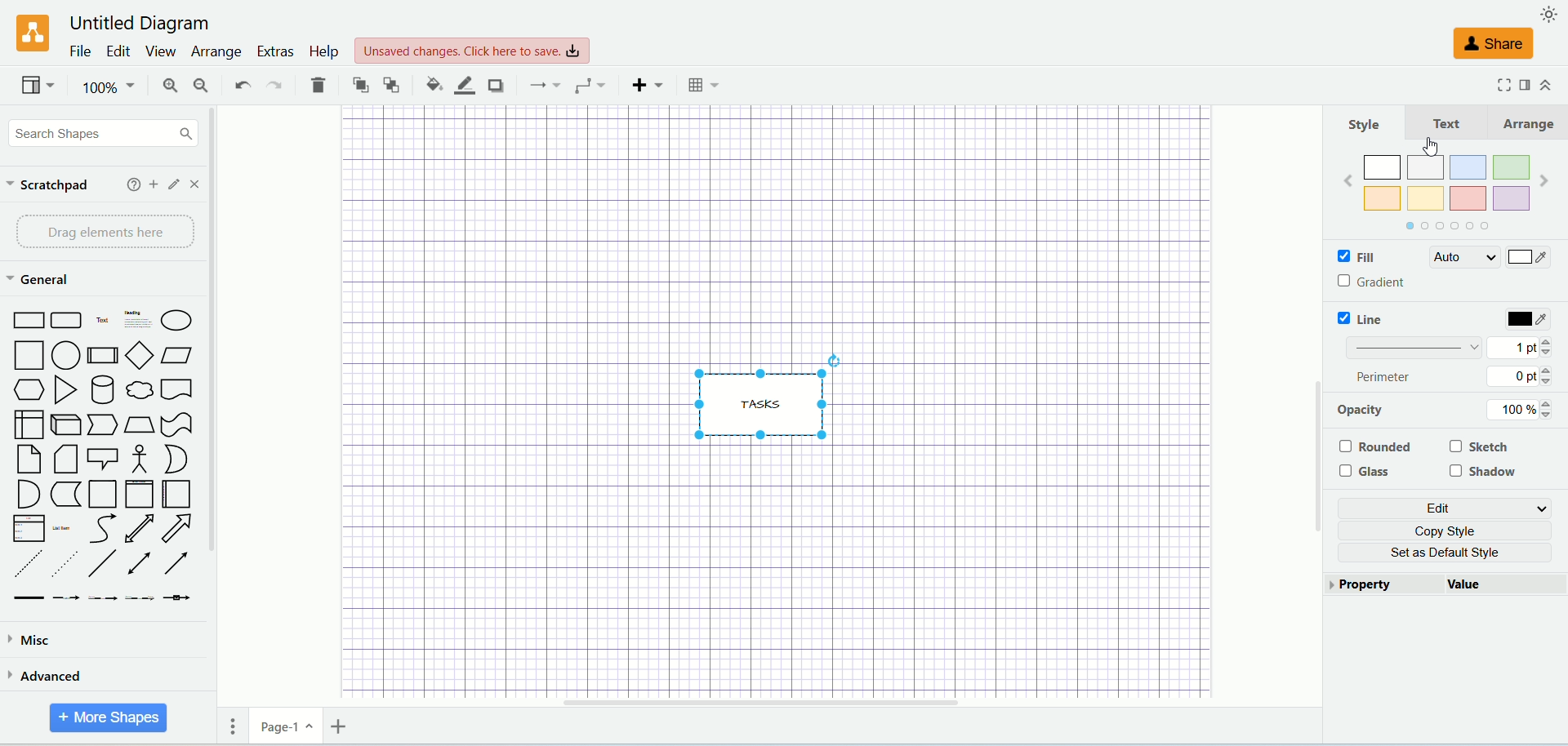  What do you see at coordinates (109, 718) in the screenshot?
I see `more shapes` at bounding box center [109, 718].